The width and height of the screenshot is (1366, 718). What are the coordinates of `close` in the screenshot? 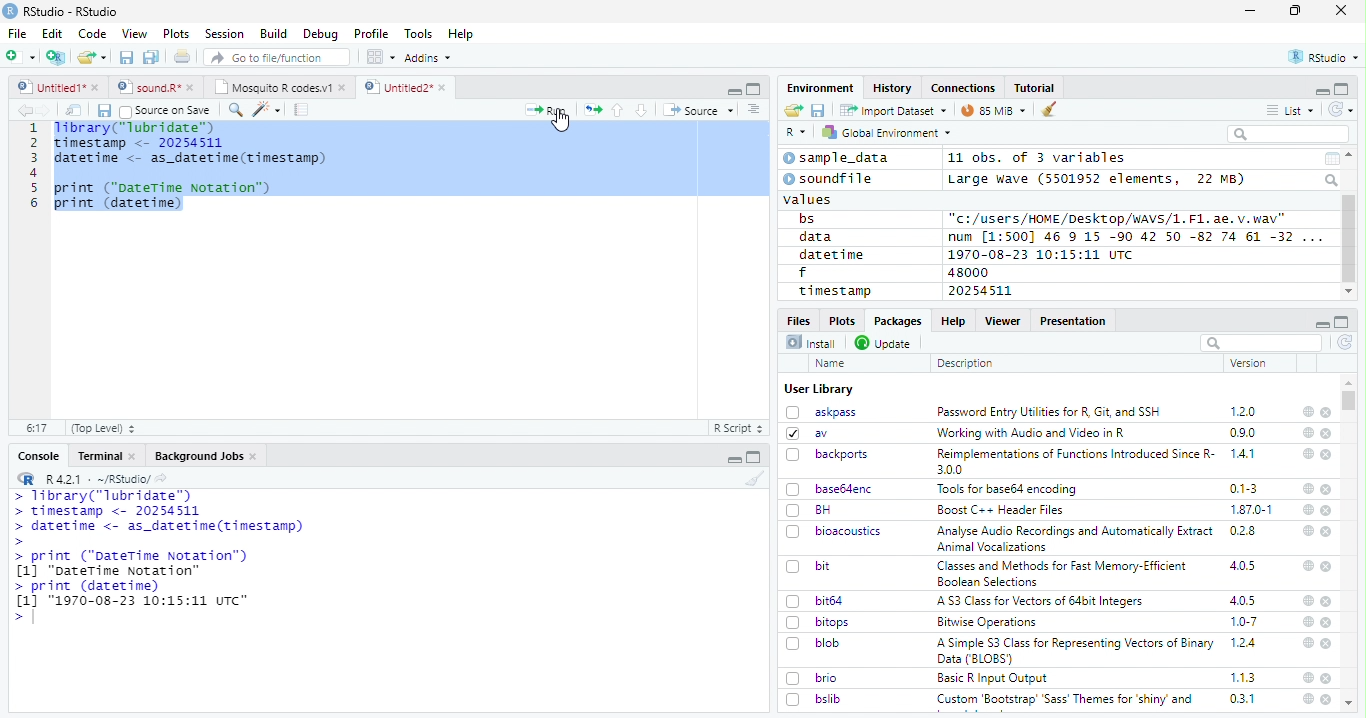 It's located at (1328, 532).